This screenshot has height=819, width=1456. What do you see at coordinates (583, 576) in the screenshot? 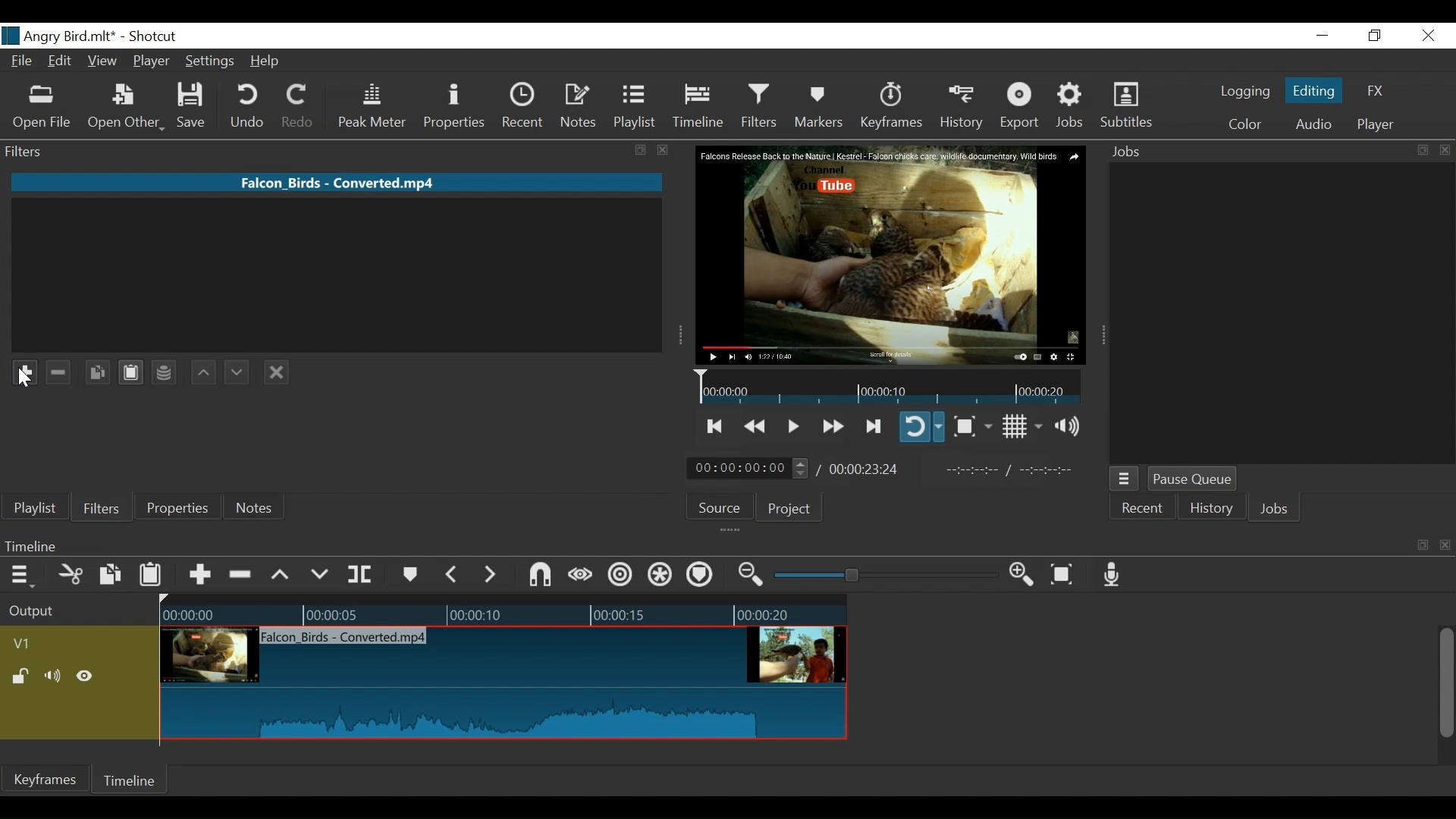
I see `Scrub while dragging` at bounding box center [583, 576].